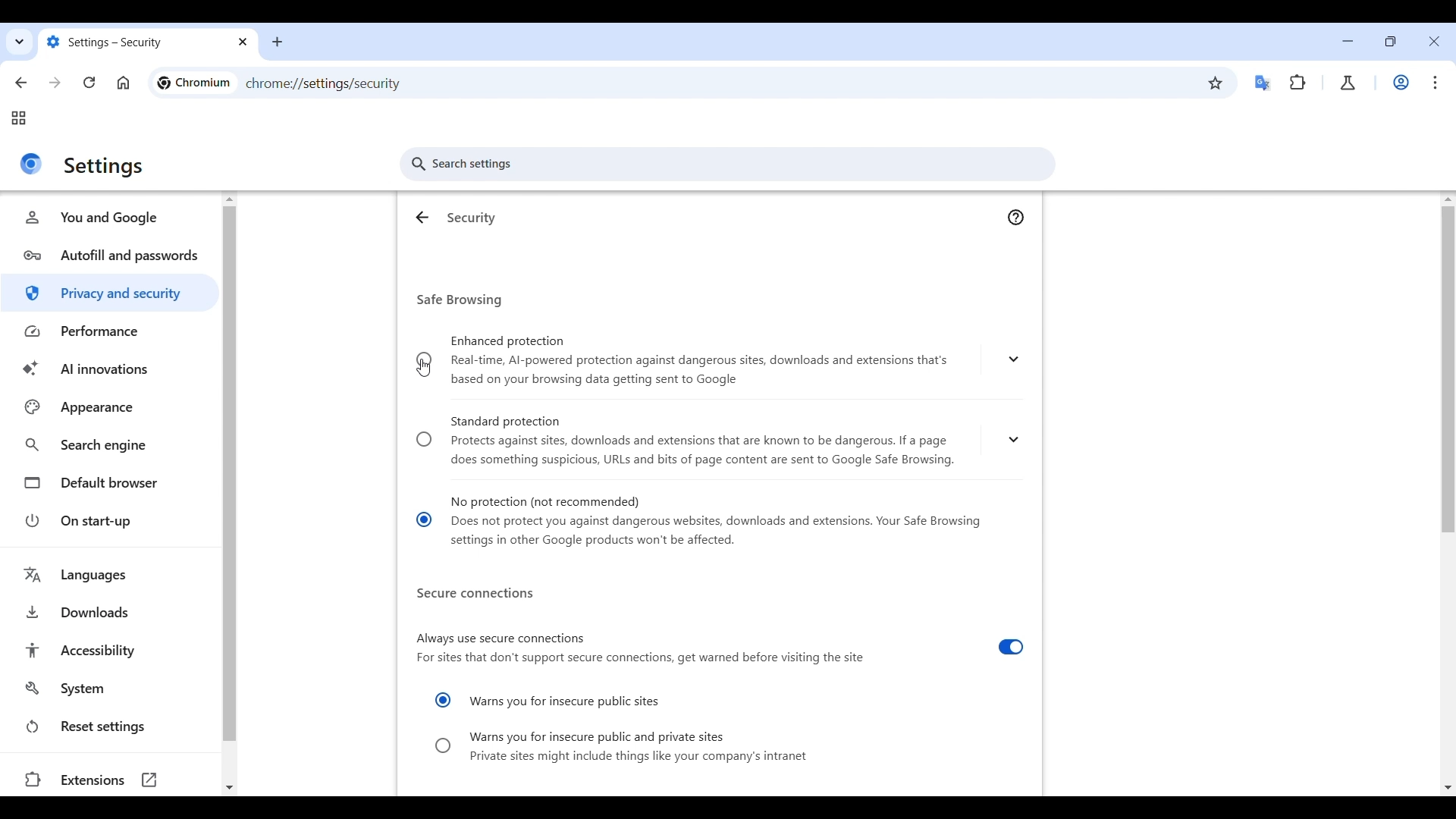 The image size is (1456, 819). What do you see at coordinates (104, 167) in the screenshot?
I see `settings` at bounding box center [104, 167].